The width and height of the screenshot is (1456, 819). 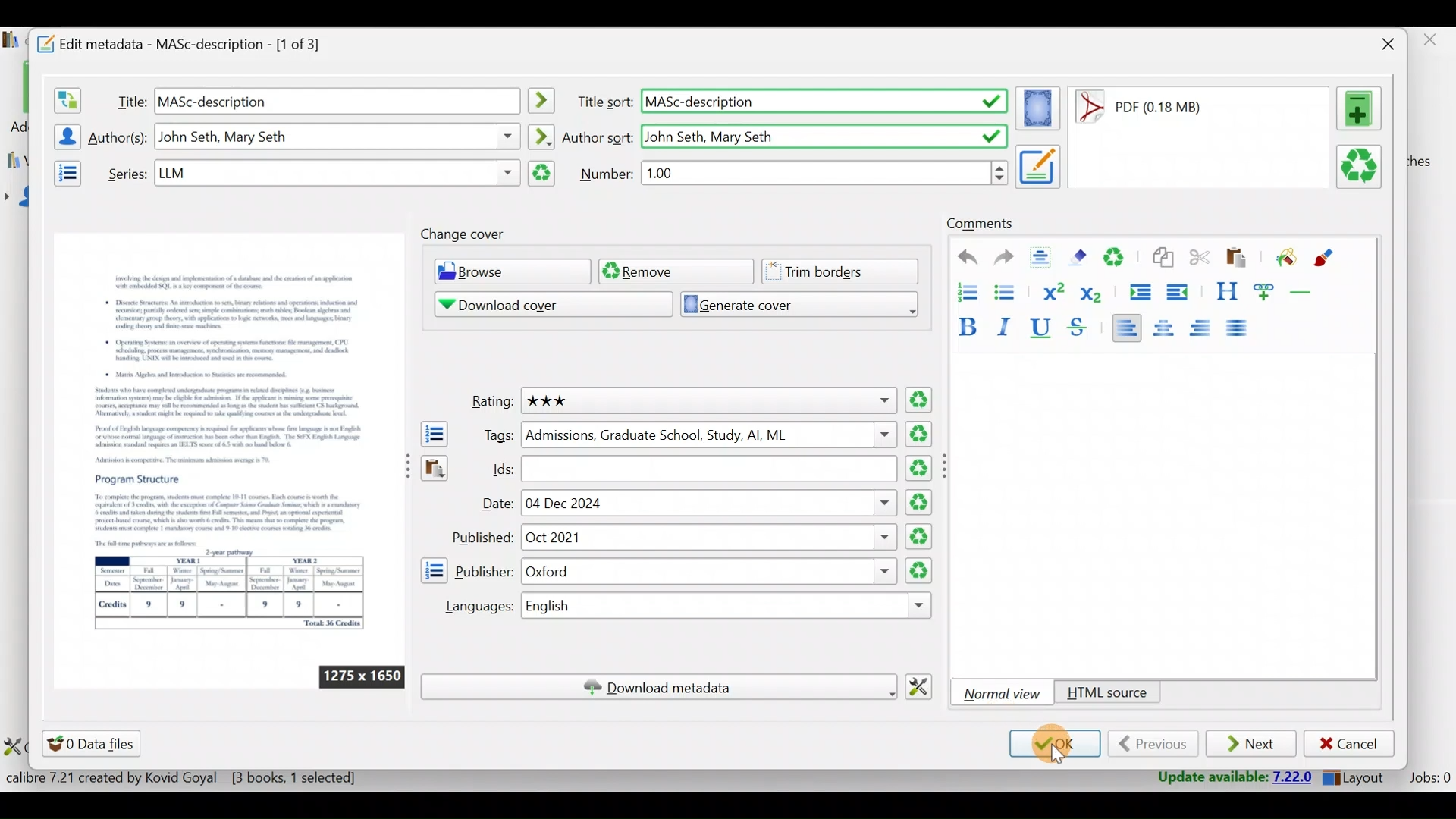 What do you see at coordinates (920, 401) in the screenshot?
I see `Clear rating` at bounding box center [920, 401].